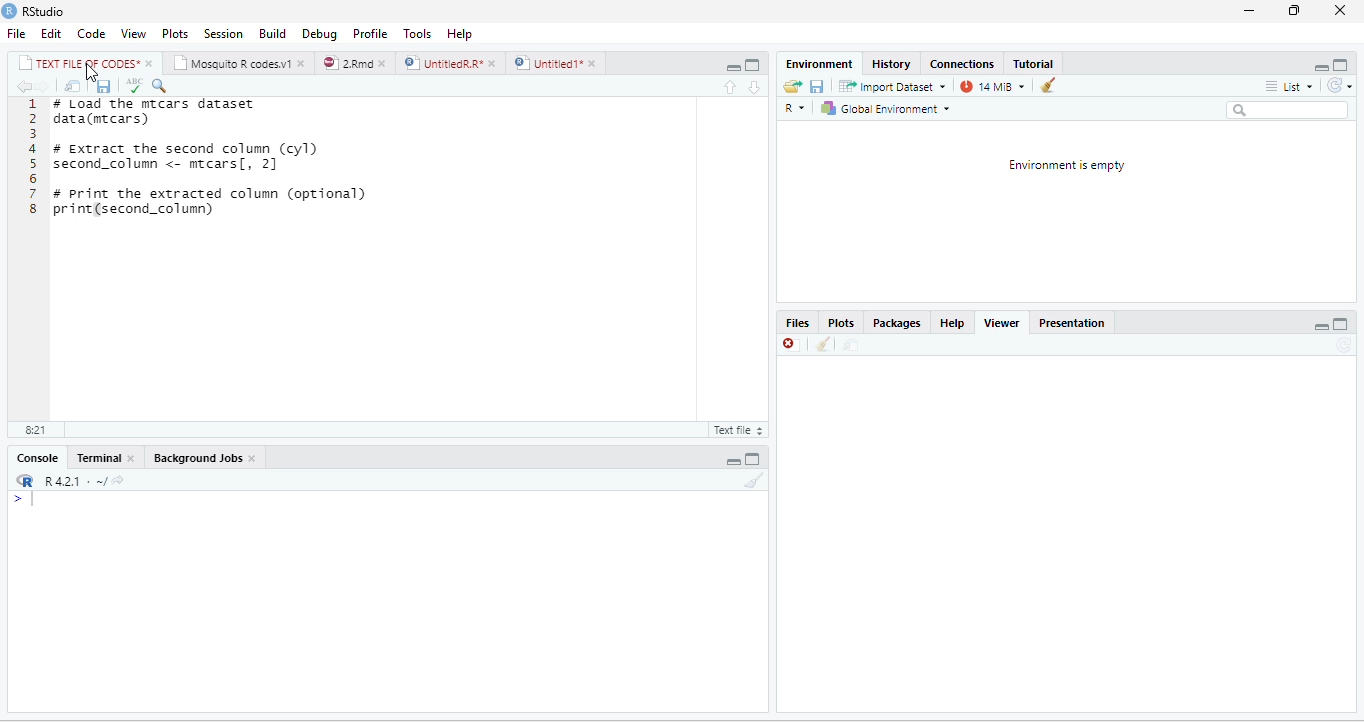  I want to click on UnttiedR A, so click(443, 62).